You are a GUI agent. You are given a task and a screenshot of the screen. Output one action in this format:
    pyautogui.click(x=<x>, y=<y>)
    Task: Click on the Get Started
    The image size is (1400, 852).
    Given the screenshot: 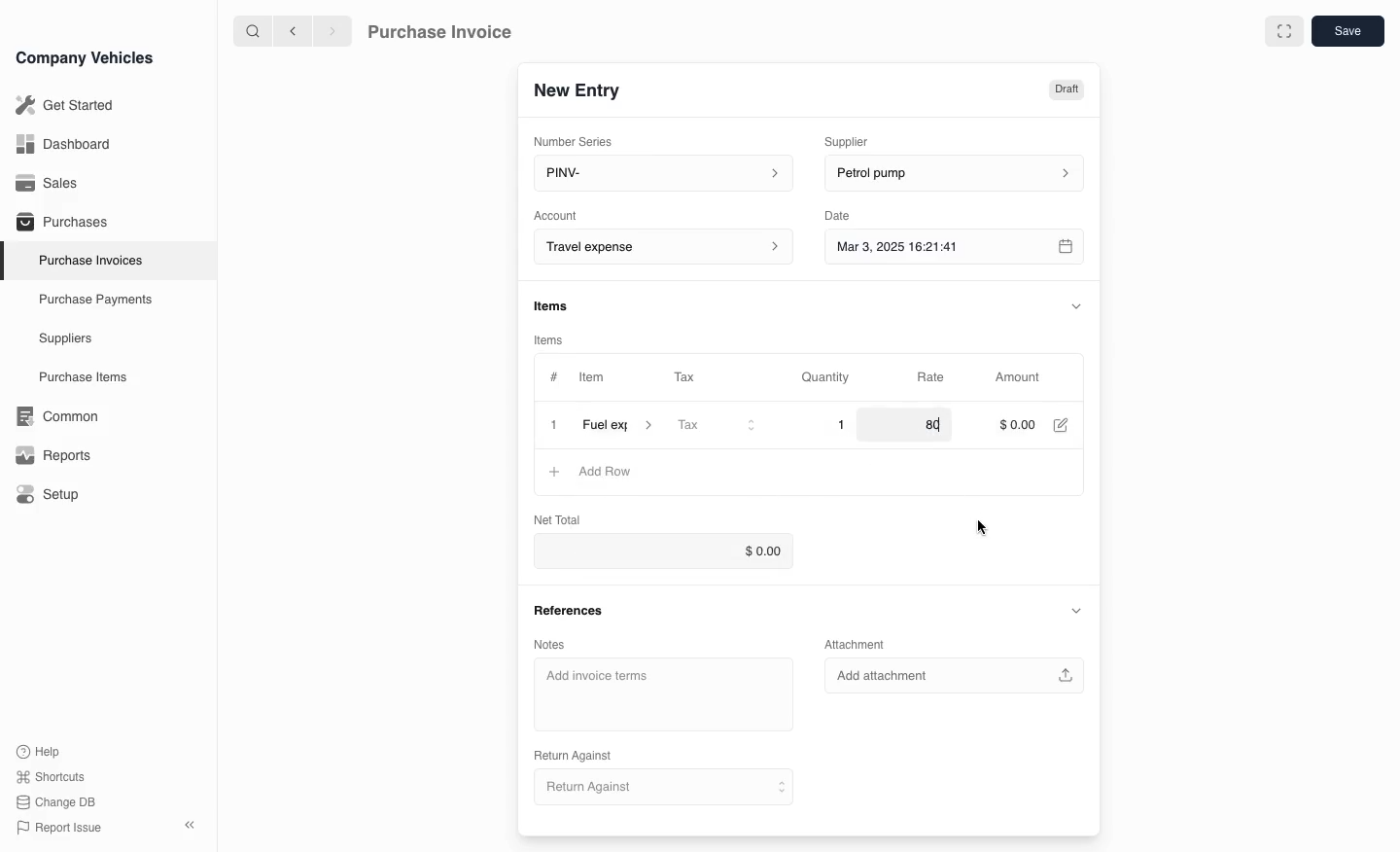 What is the action you would take?
    pyautogui.click(x=61, y=105)
    